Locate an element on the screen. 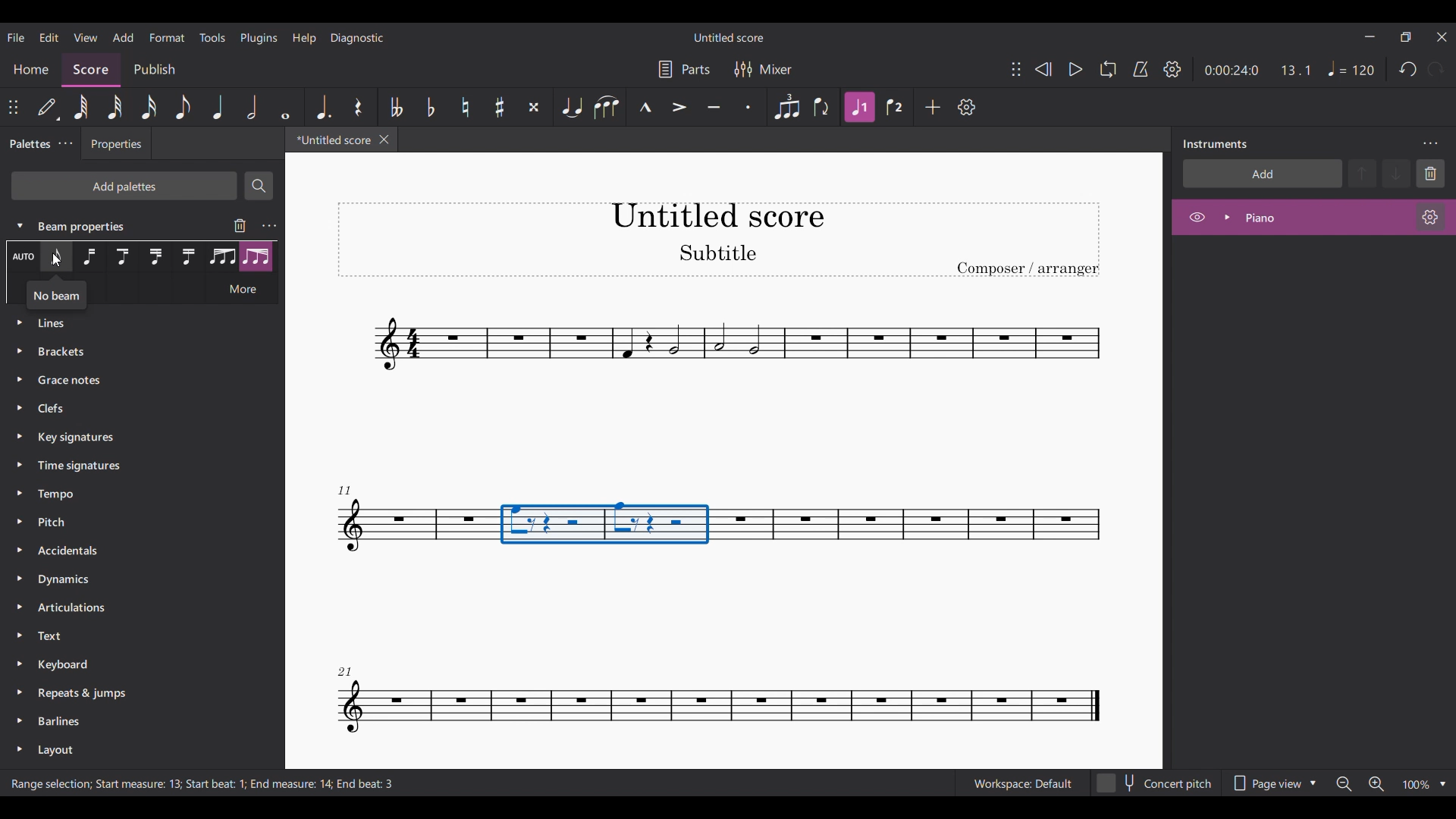  Beam properties is located at coordinates (94, 225).